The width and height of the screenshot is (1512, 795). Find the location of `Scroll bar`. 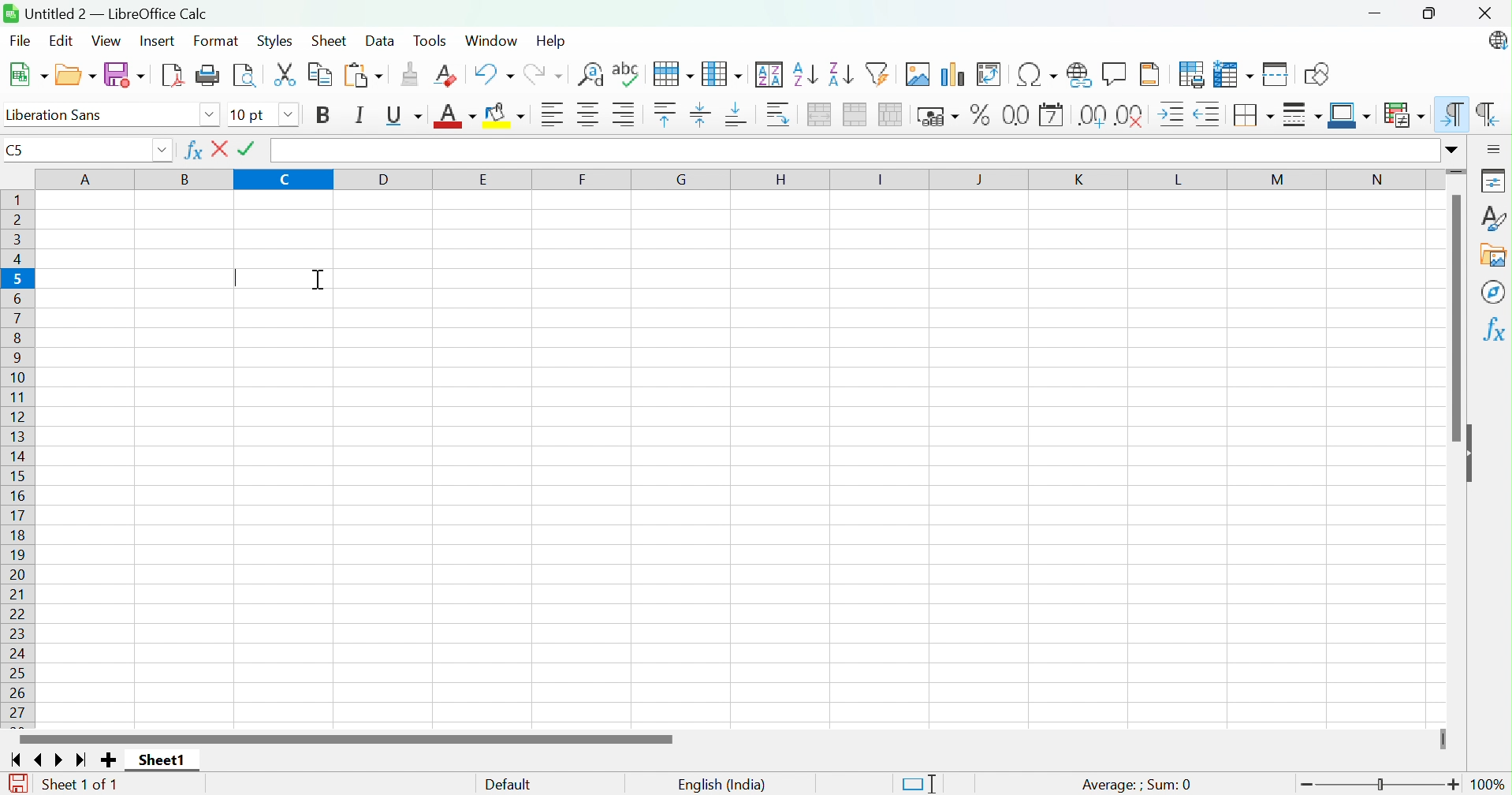

Scroll bar is located at coordinates (1456, 319).